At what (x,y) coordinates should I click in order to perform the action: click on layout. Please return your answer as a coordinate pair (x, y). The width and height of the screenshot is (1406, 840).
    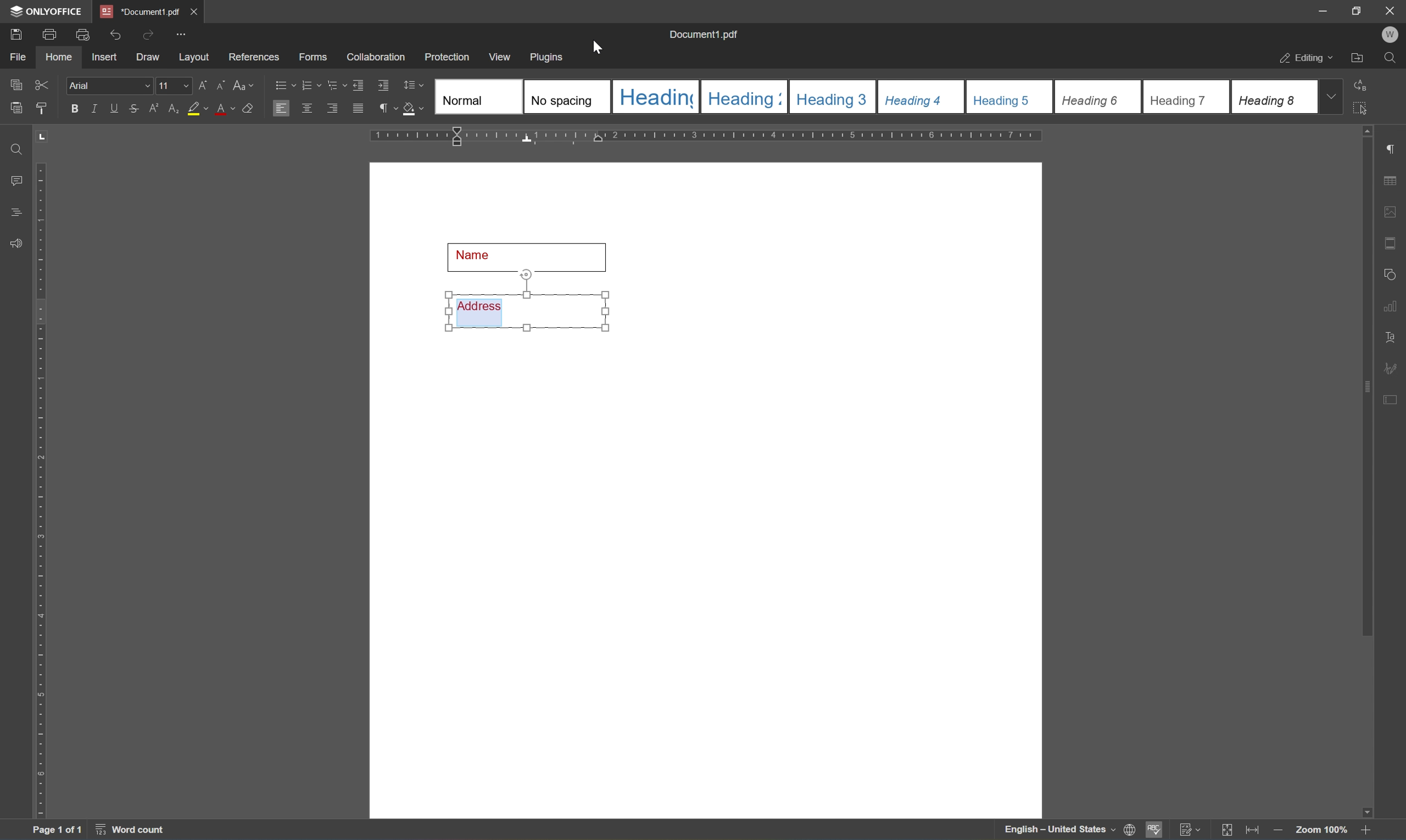
    Looking at the image, I should click on (193, 59).